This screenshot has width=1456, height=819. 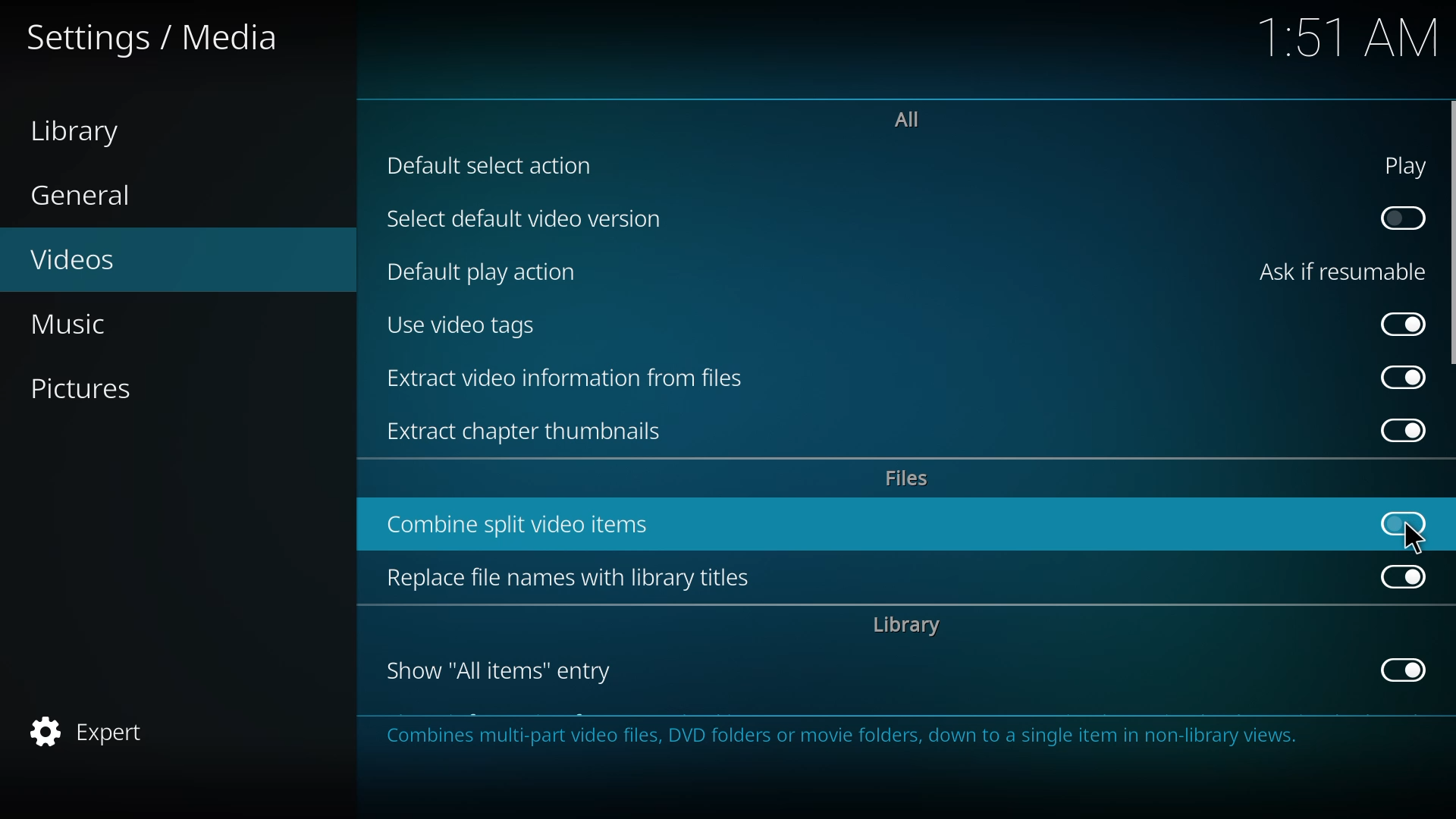 I want to click on music, so click(x=74, y=326).